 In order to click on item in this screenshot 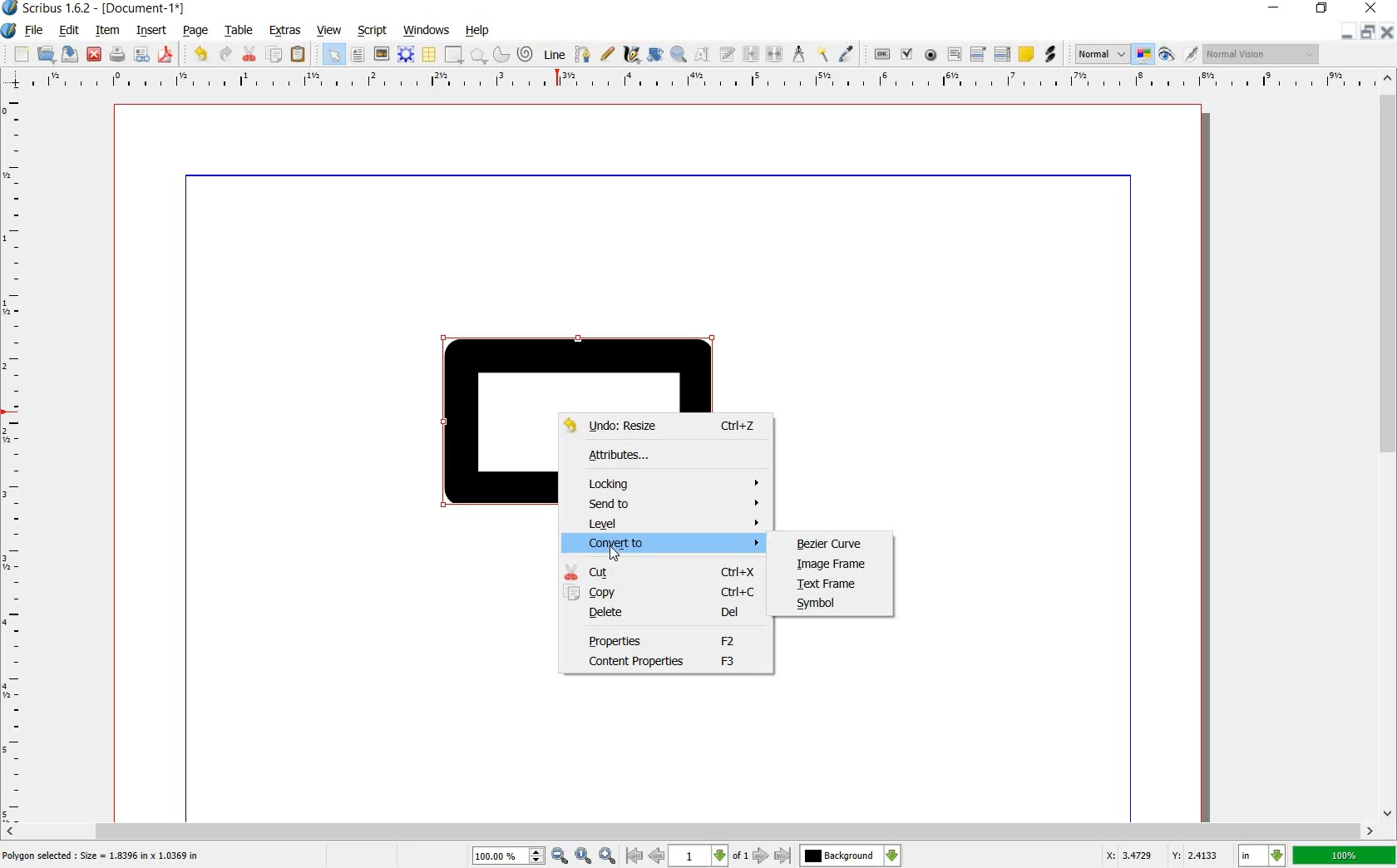, I will do `click(105, 30)`.